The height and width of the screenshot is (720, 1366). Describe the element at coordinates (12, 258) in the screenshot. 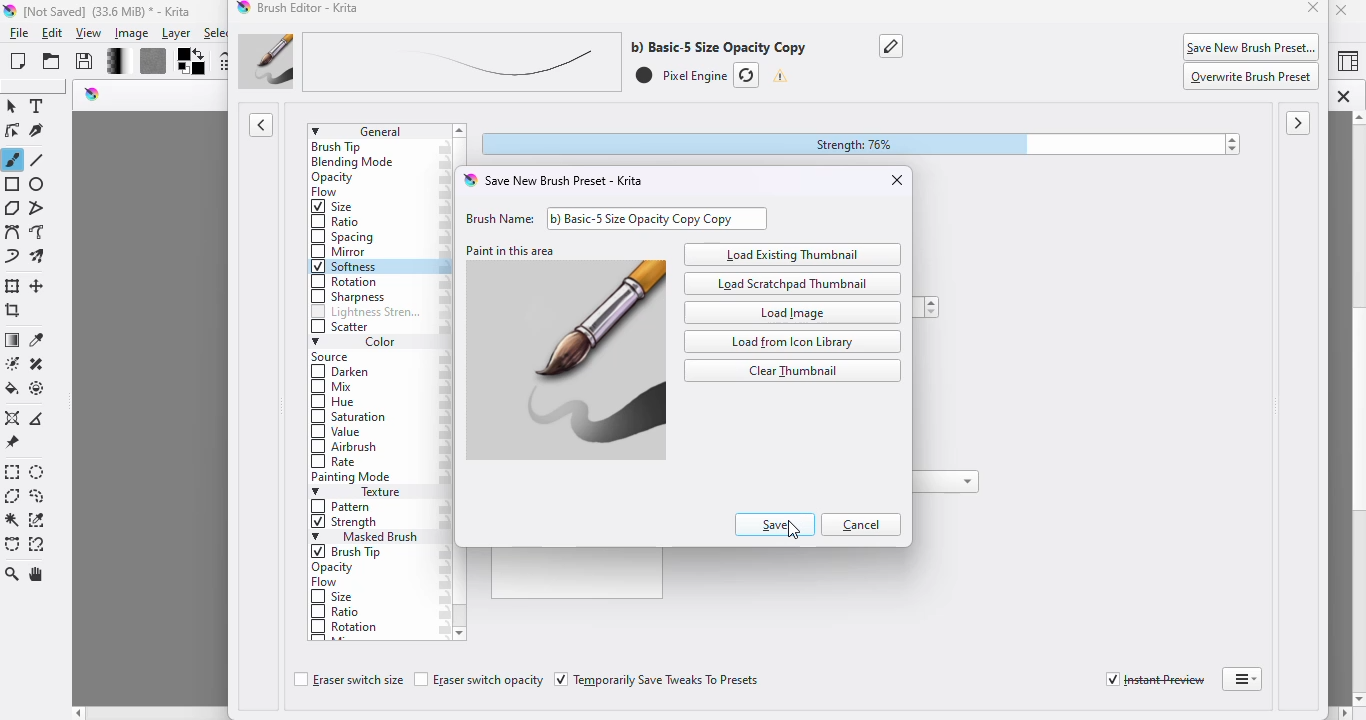

I see `dynamic brush tool` at that location.